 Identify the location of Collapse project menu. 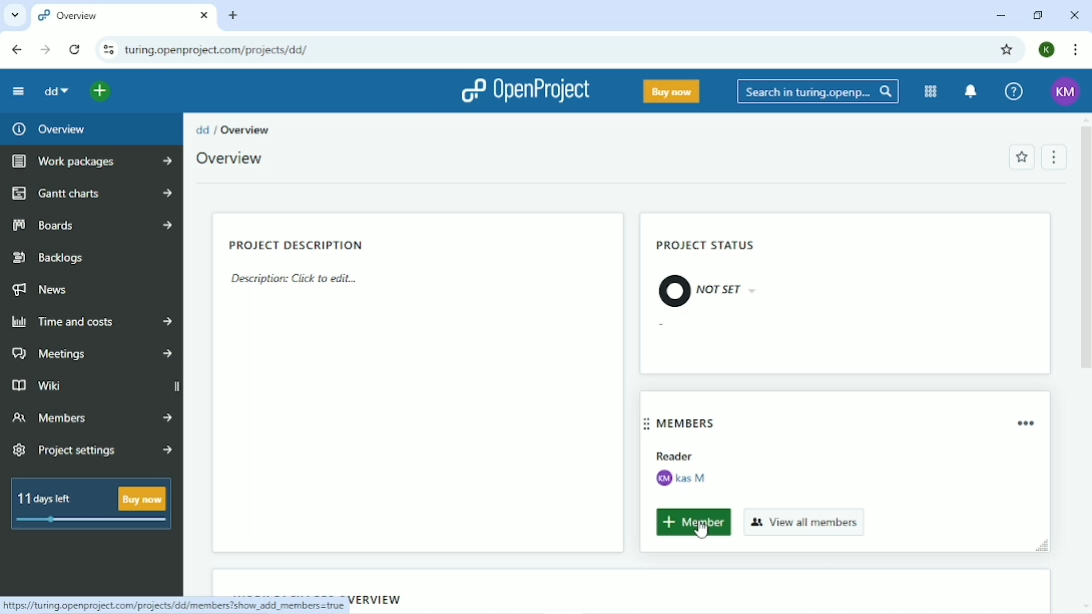
(21, 91).